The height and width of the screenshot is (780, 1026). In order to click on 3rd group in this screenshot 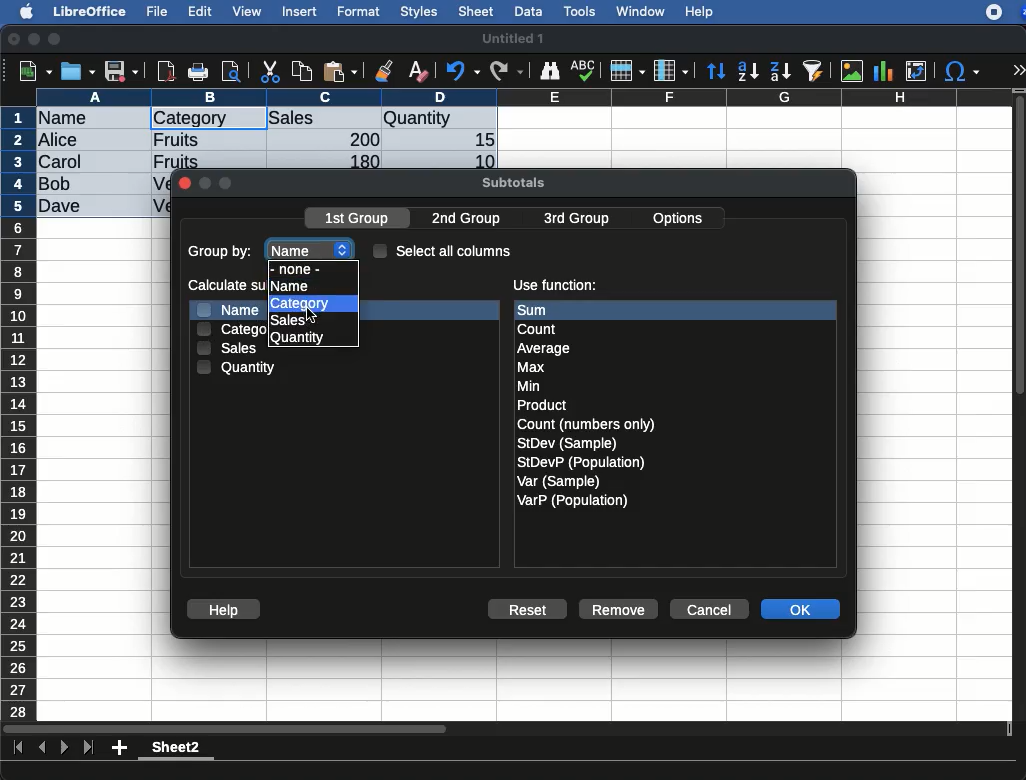, I will do `click(576, 220)`.